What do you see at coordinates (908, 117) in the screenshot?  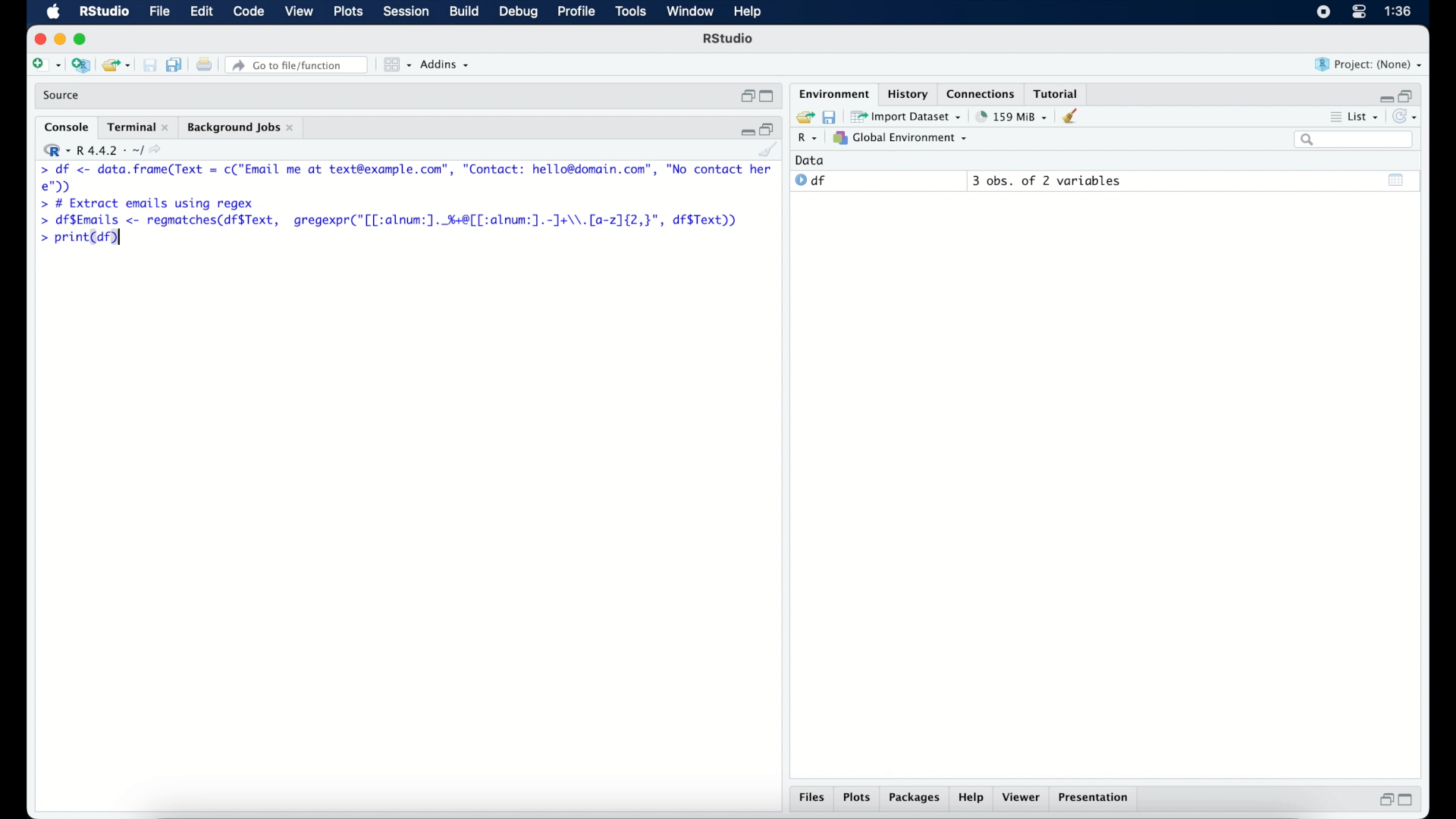 I see `import dataset` at bounding box center [908, 117].